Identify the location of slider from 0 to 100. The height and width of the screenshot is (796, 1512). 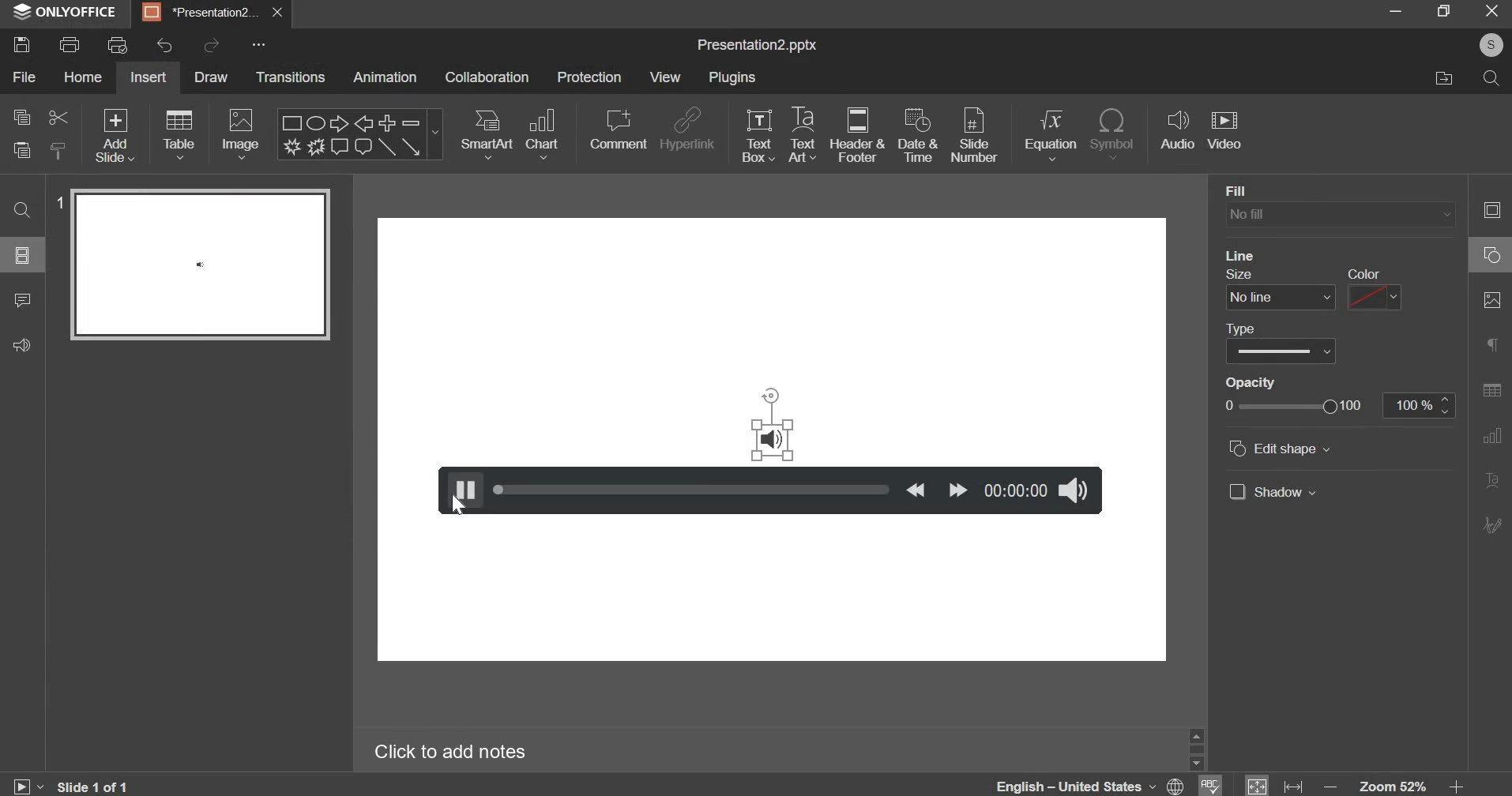
(1293, 406).